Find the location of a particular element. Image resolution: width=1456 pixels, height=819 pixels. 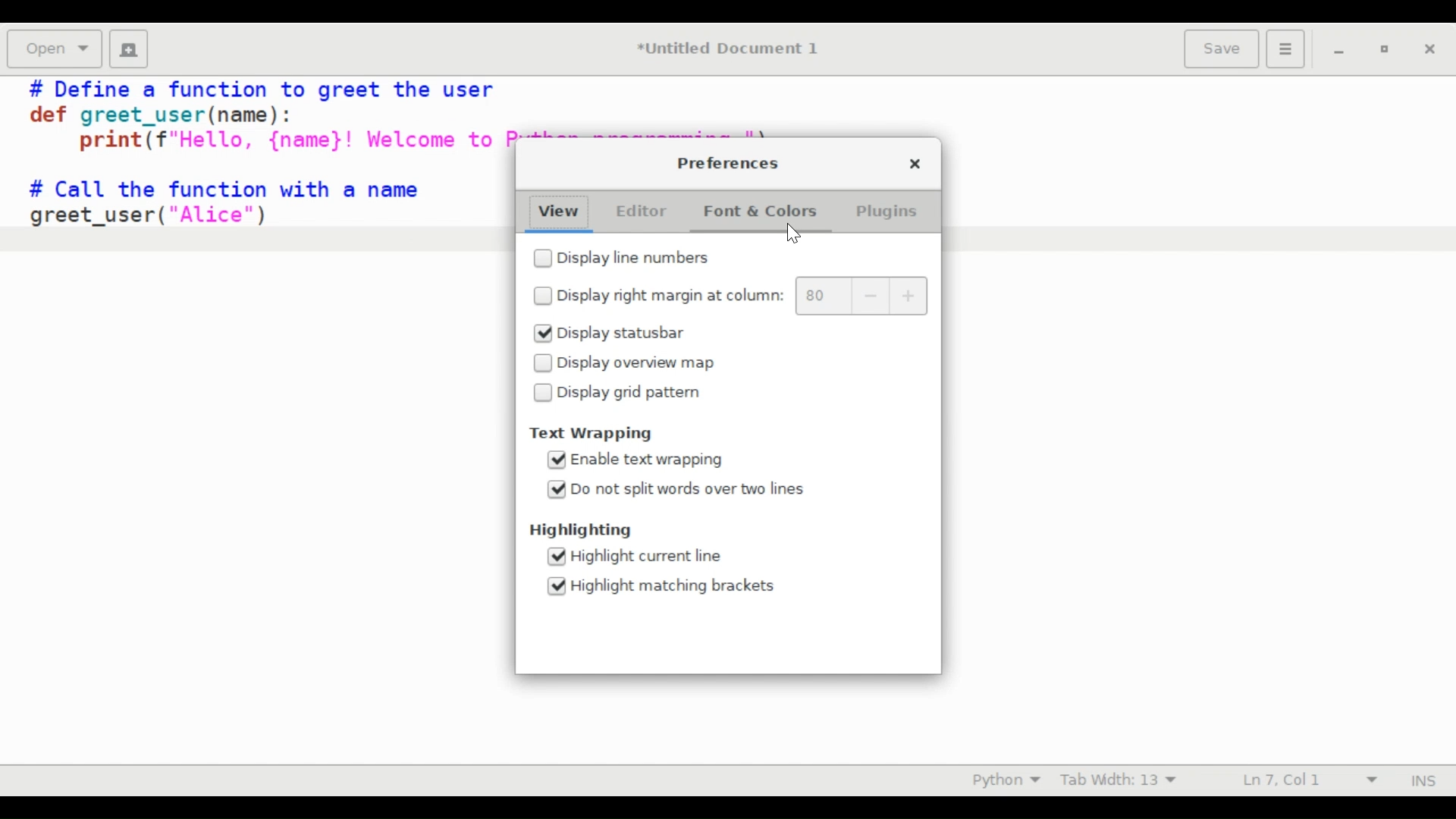

Code is located at coordinates (253, 174).